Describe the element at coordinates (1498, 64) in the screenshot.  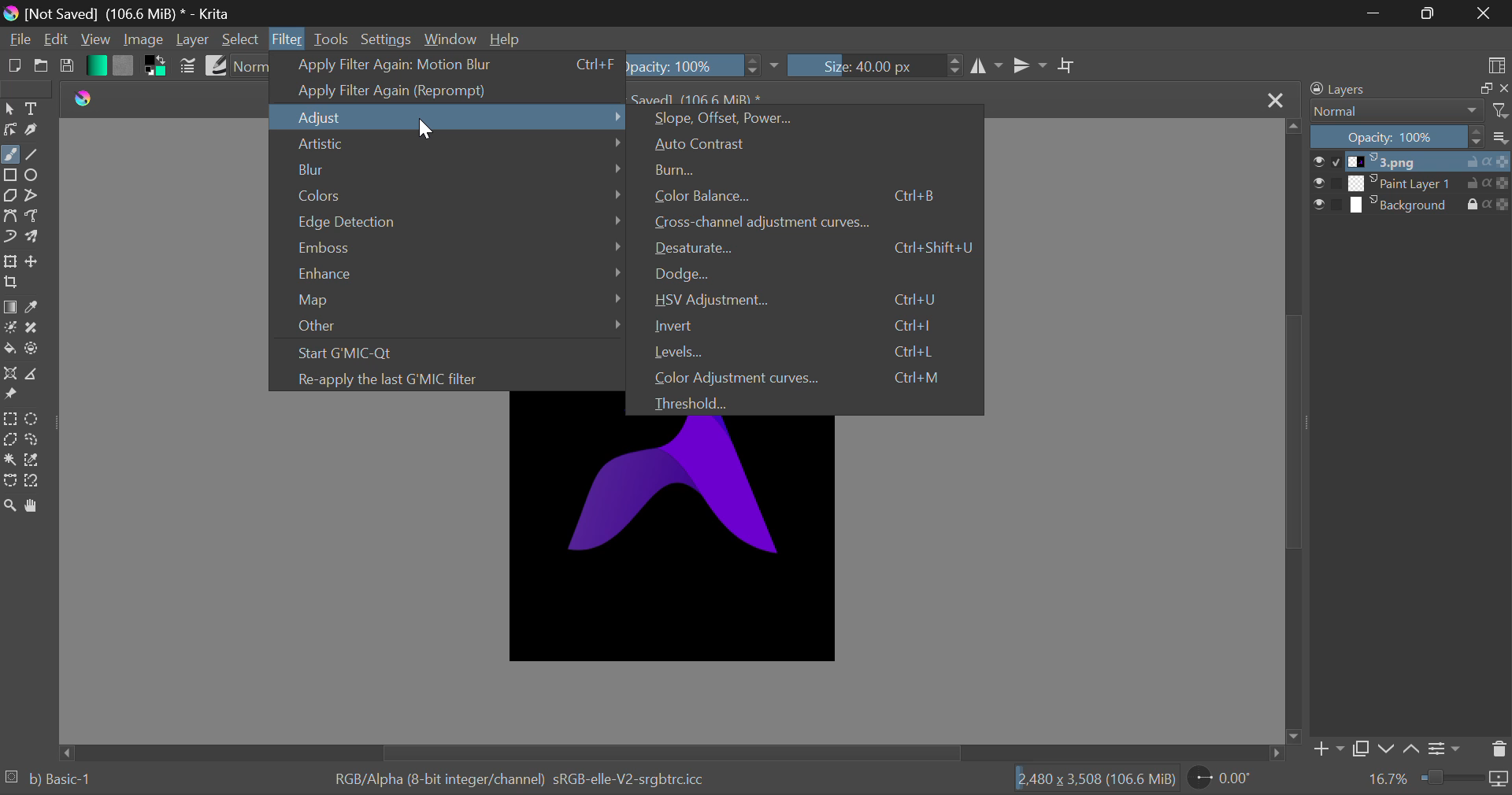
I see `Choose Workspace` at that location.